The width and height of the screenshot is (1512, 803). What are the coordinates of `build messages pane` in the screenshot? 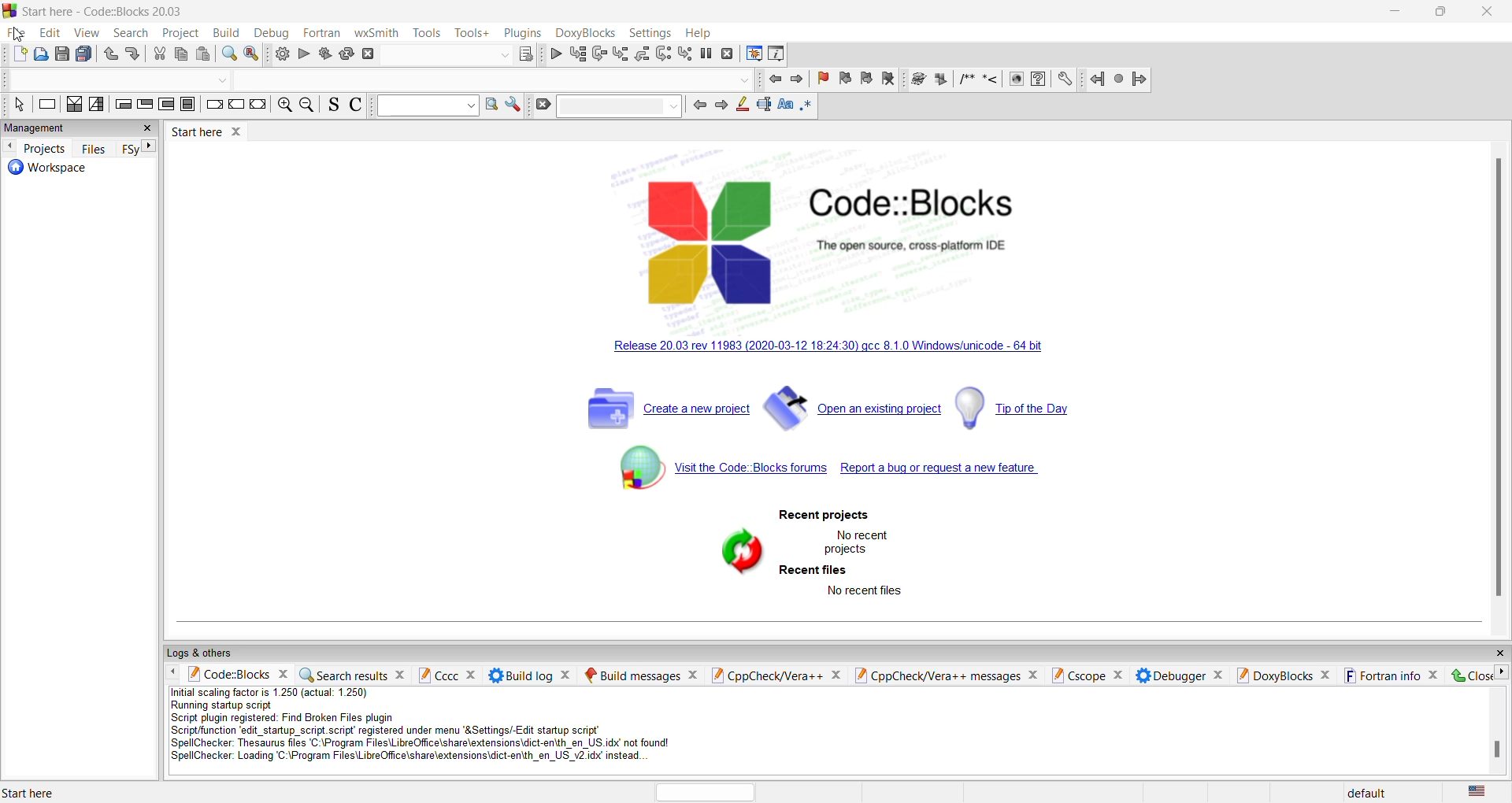 It's located at (631, 675).